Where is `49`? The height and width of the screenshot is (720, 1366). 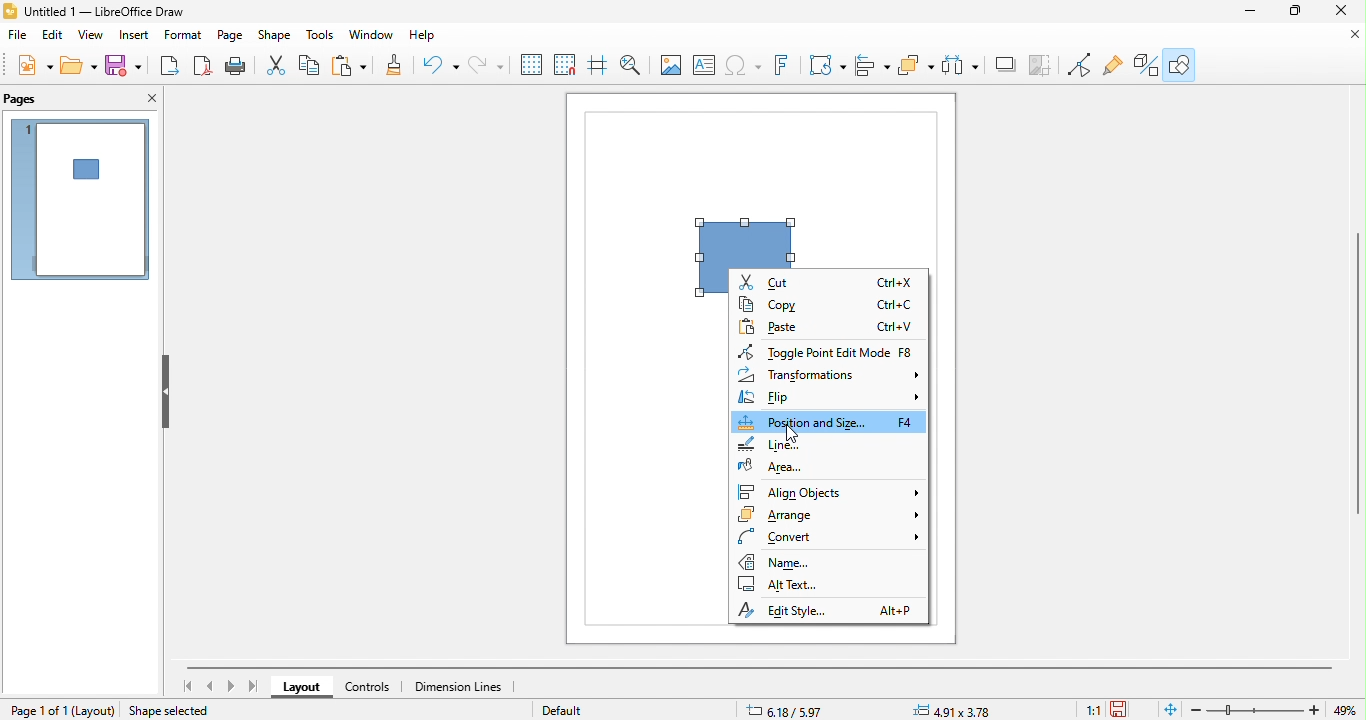 49 is located at coordinates (1348, 710).